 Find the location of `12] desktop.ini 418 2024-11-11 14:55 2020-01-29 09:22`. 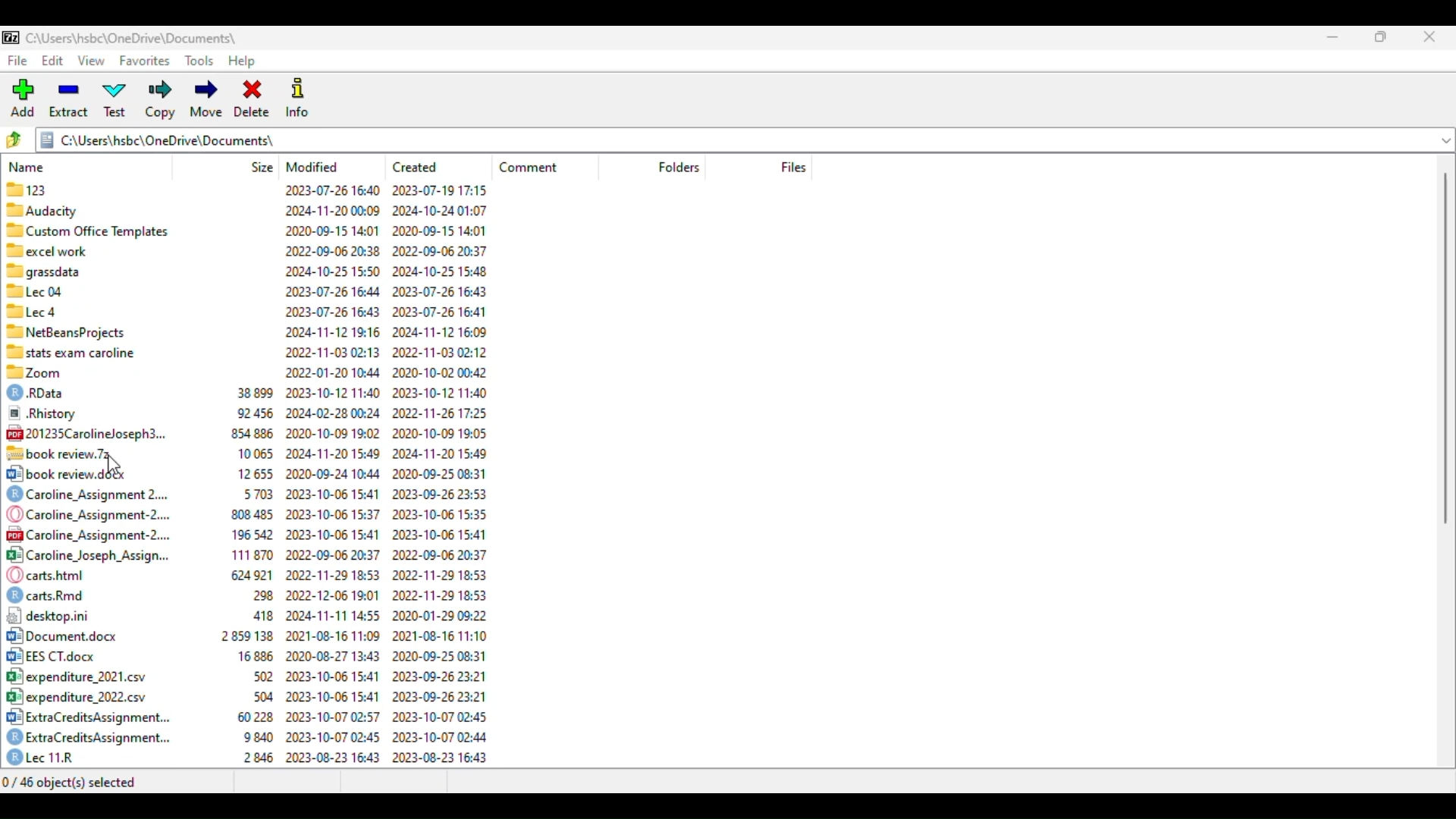

12] desktop.ini 418 2024-11-11 14:55 2020-01-29 09:22 is located at coordinates (246, 615).